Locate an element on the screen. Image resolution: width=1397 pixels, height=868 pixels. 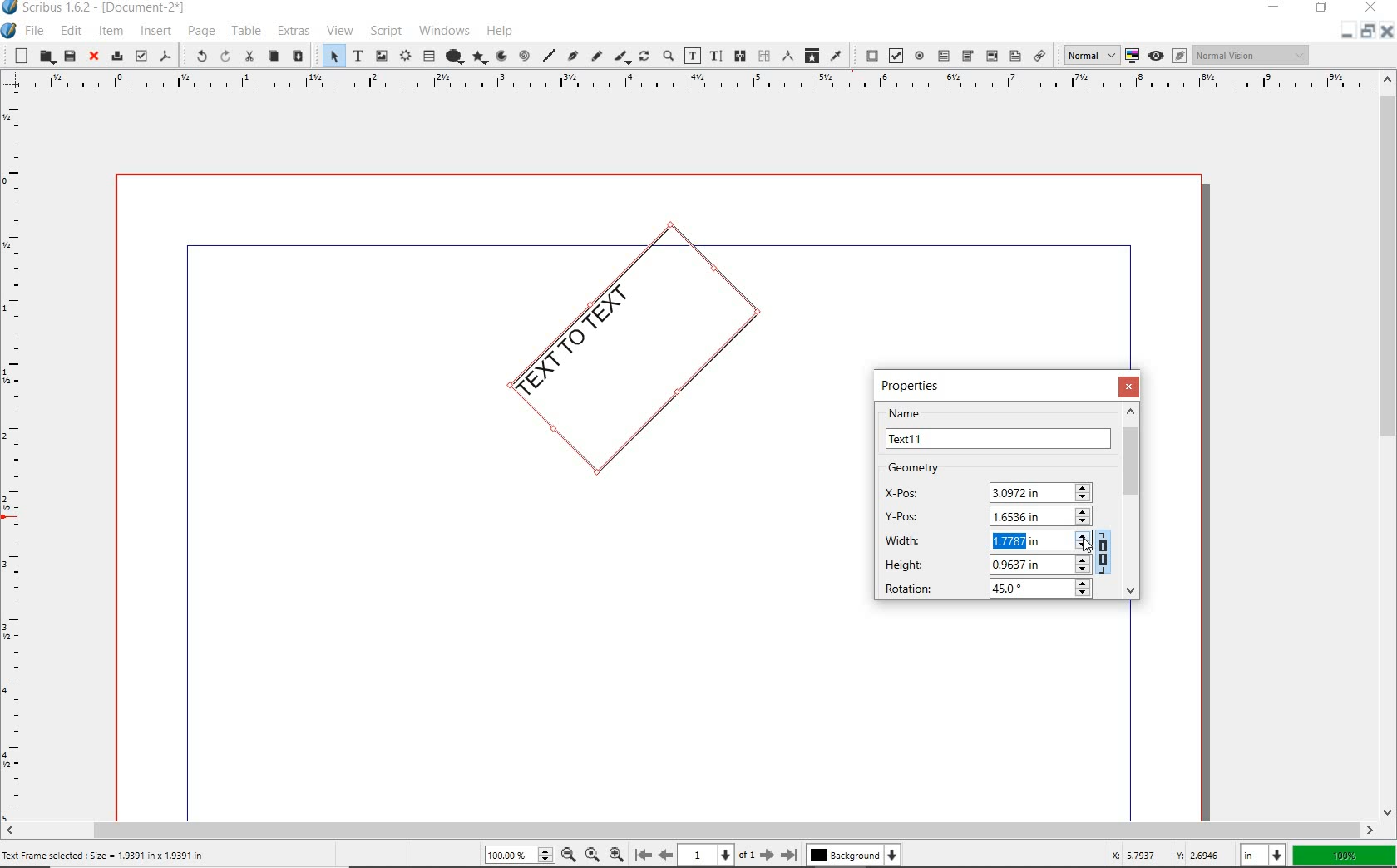
line is located at coordinates (548, 57).